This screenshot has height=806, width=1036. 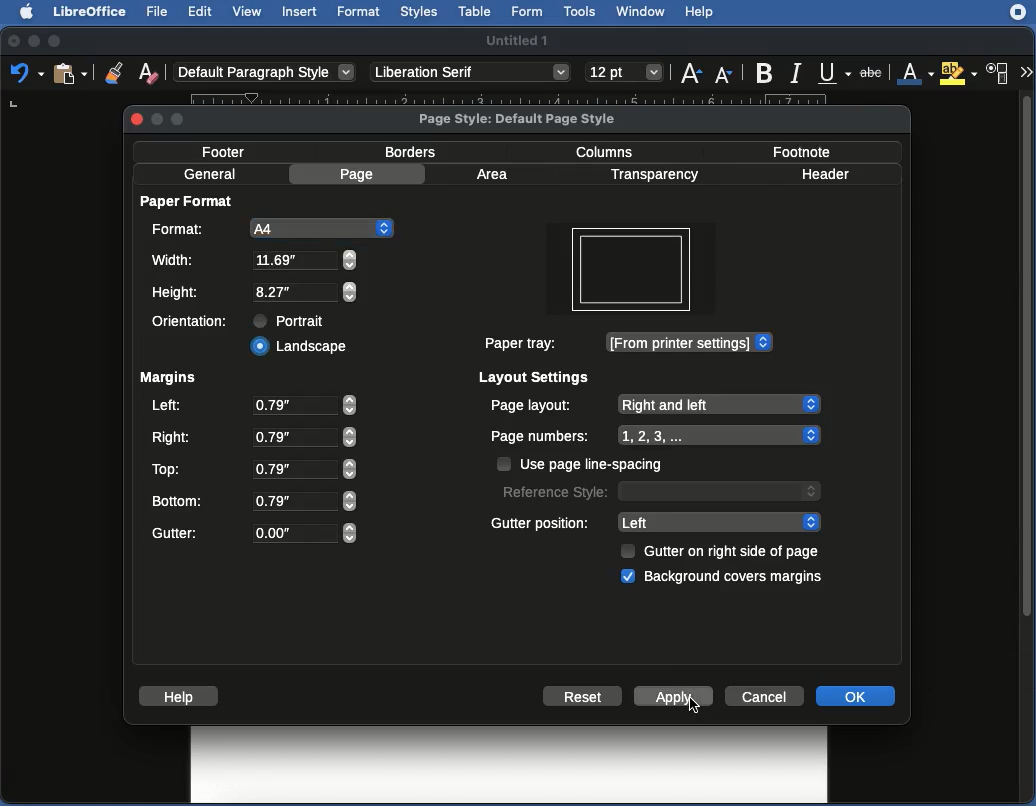 What do you see at coordinates (70, 74) in the screenshot?
I see `clipboard` at bounding box center [70, 74].